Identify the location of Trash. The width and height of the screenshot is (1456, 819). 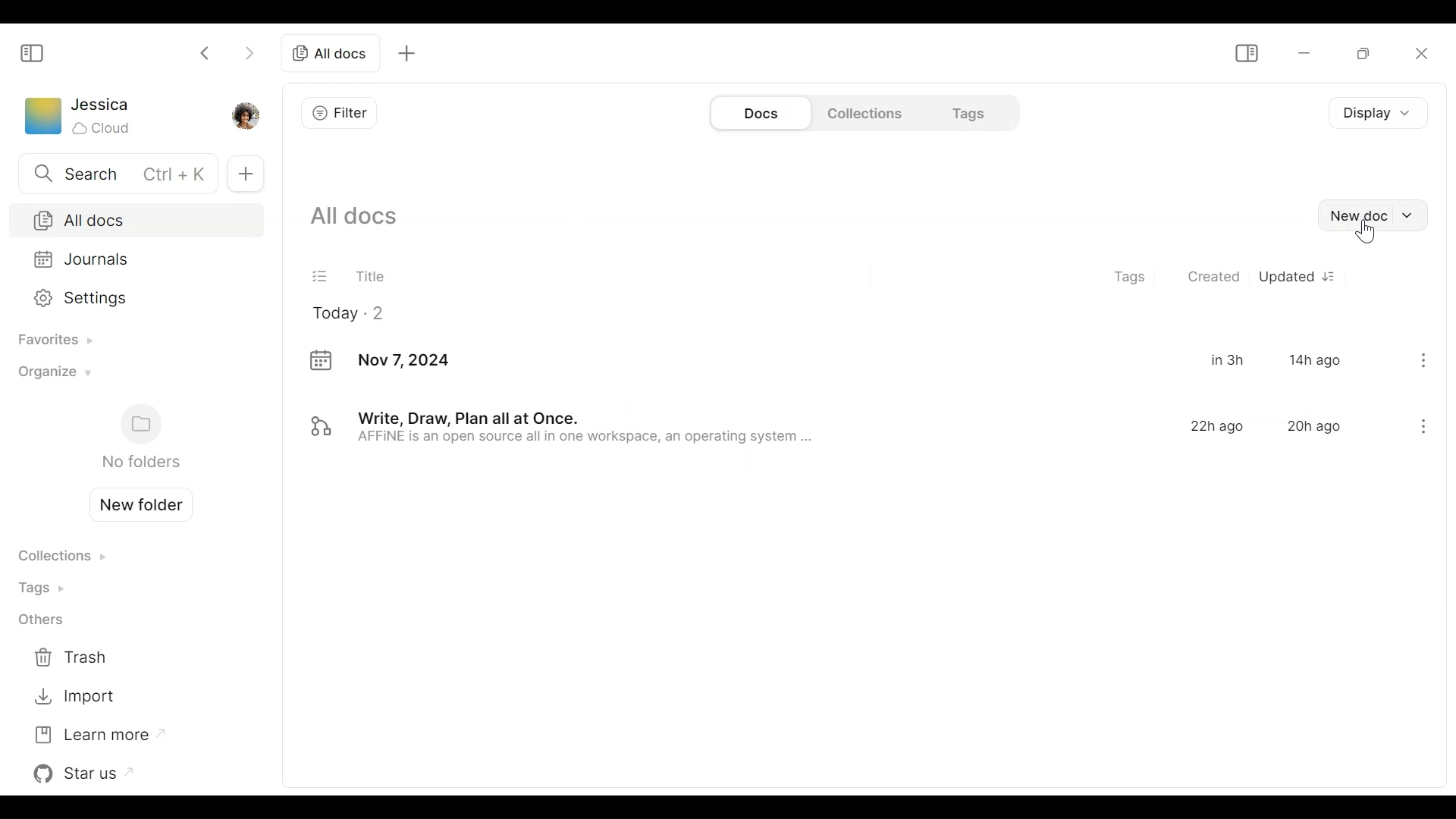
(74, 658).